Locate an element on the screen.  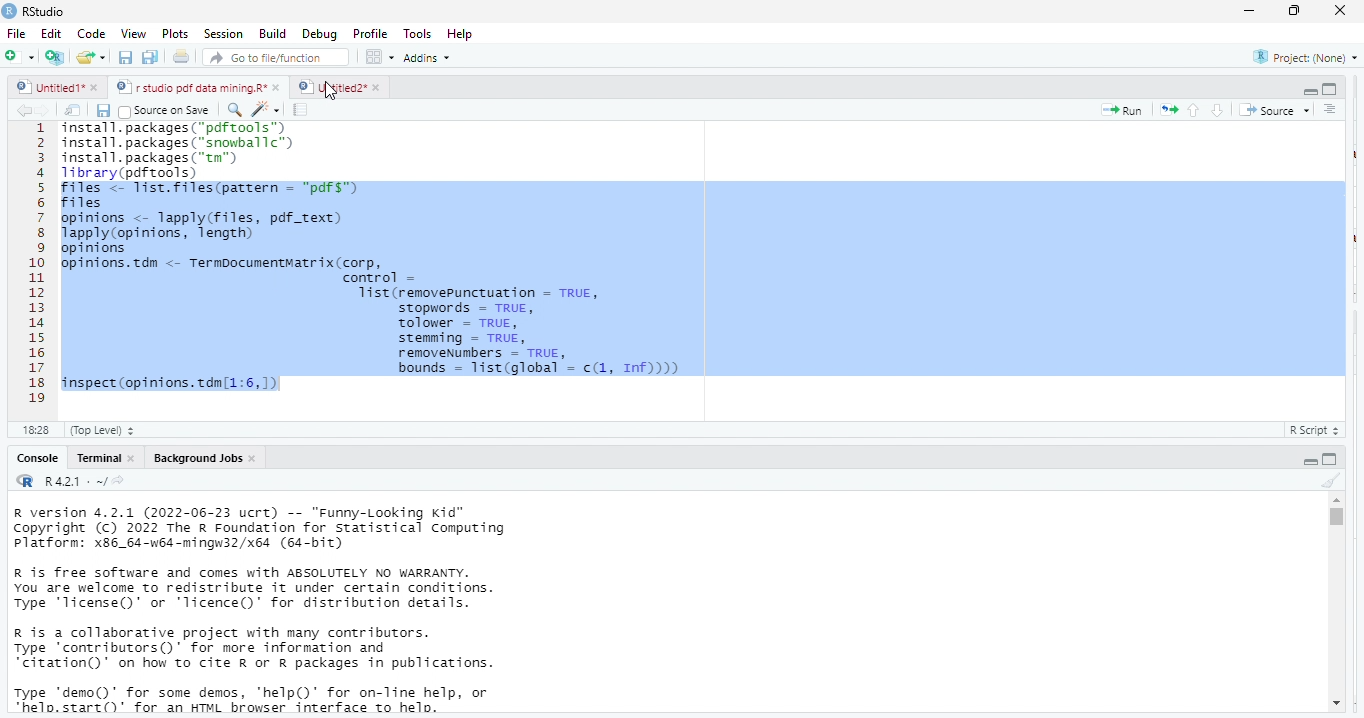
source is located at coordinates (1272, 110).